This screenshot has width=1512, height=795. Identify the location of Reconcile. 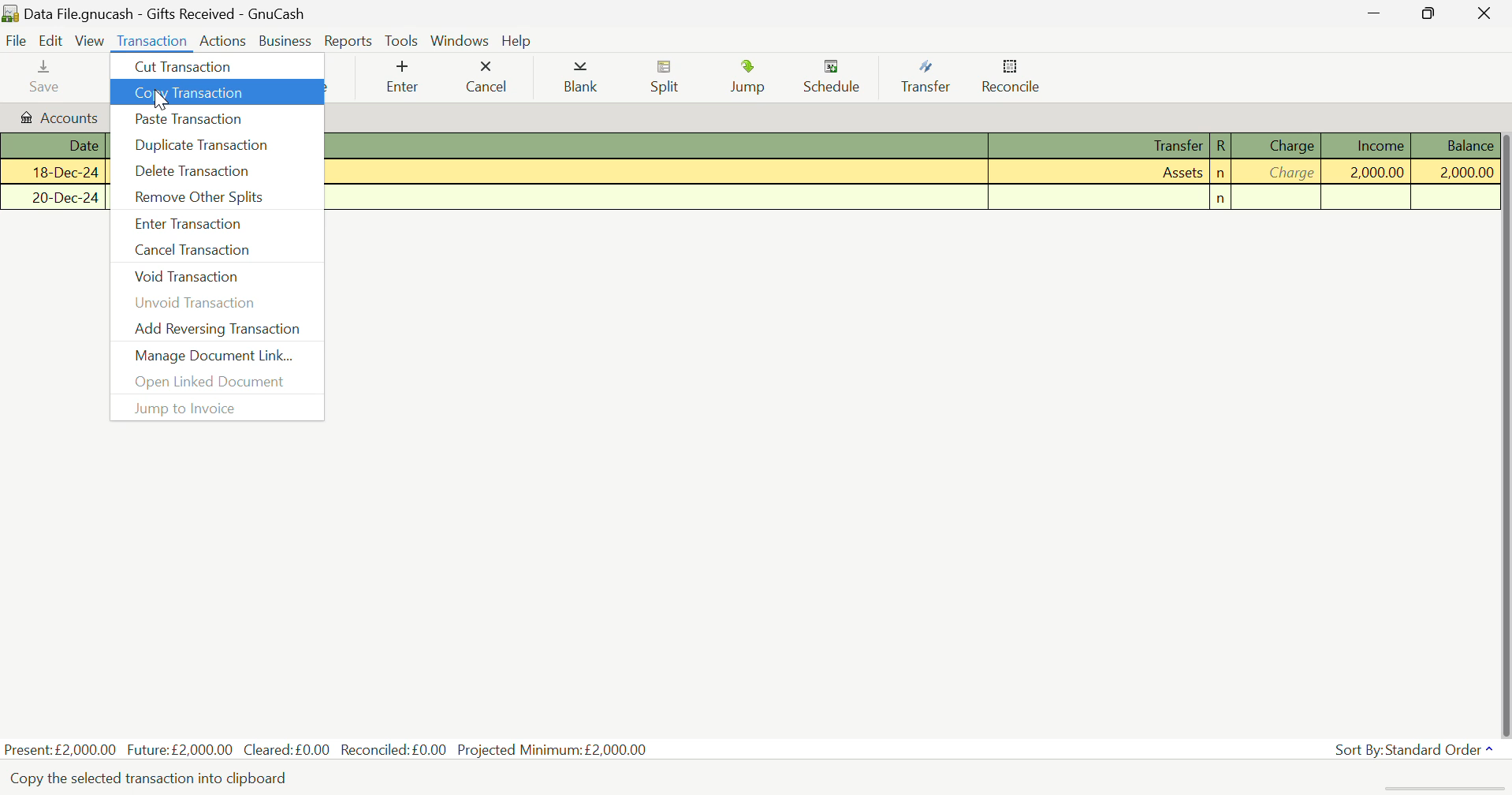
(1011, 77).